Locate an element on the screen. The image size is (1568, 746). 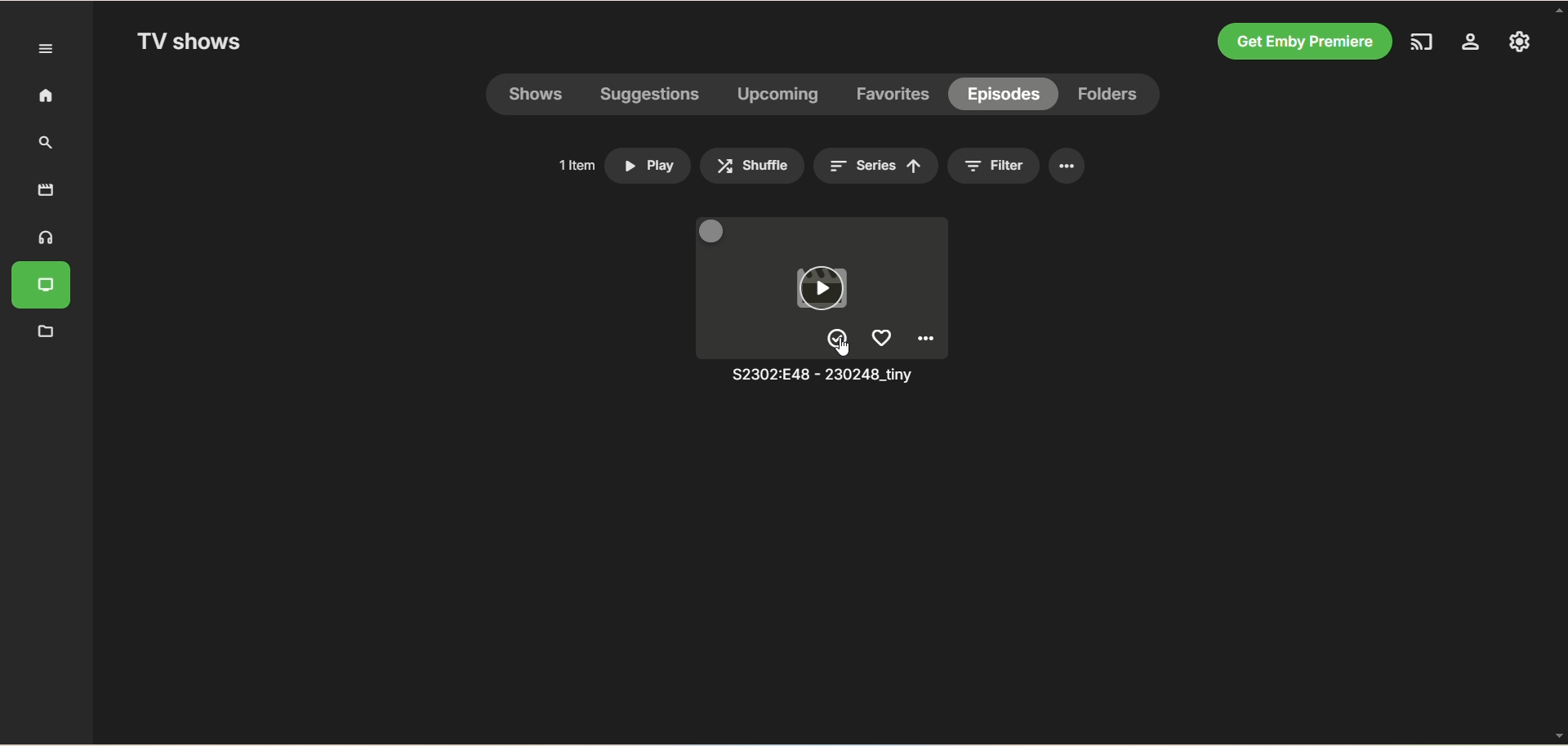
folders is located at coordinates (1111, 95).